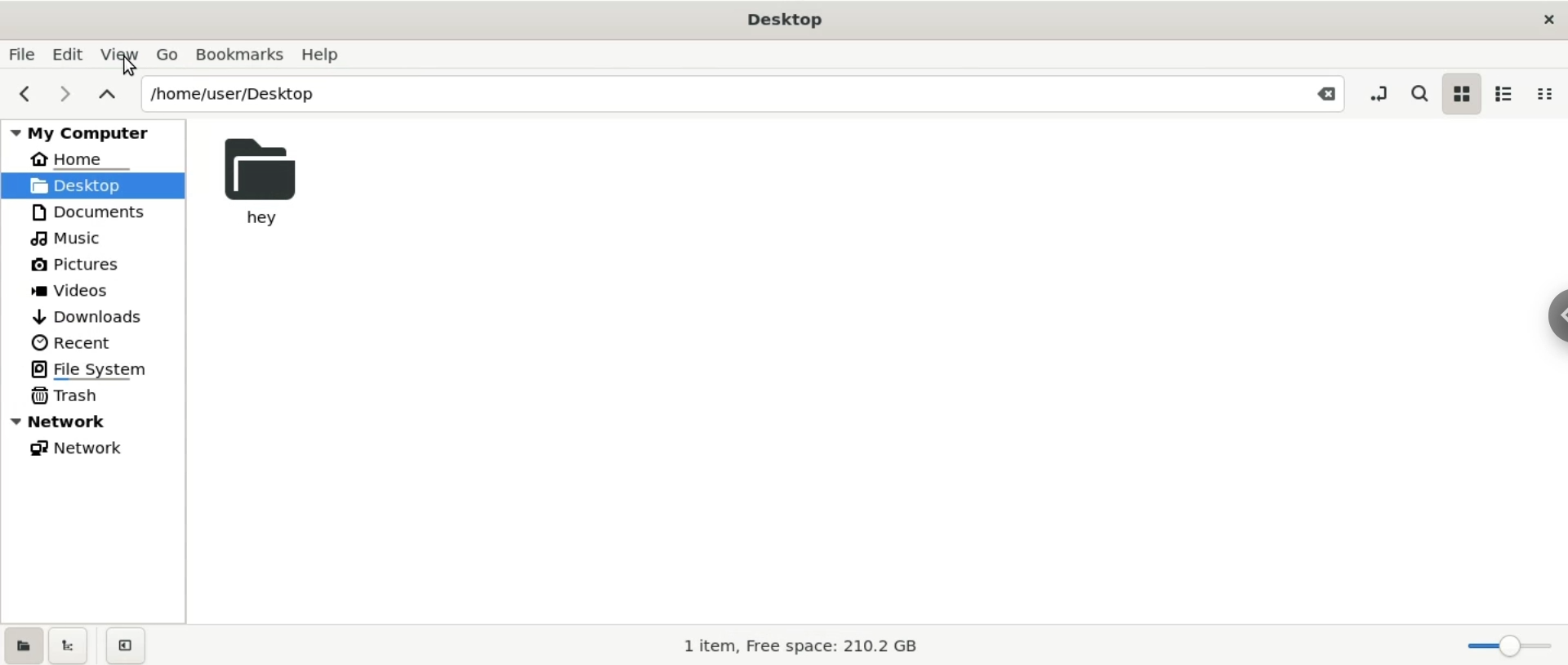 The image size is (1568, 665). I want to click on Music, so click(70, 237).